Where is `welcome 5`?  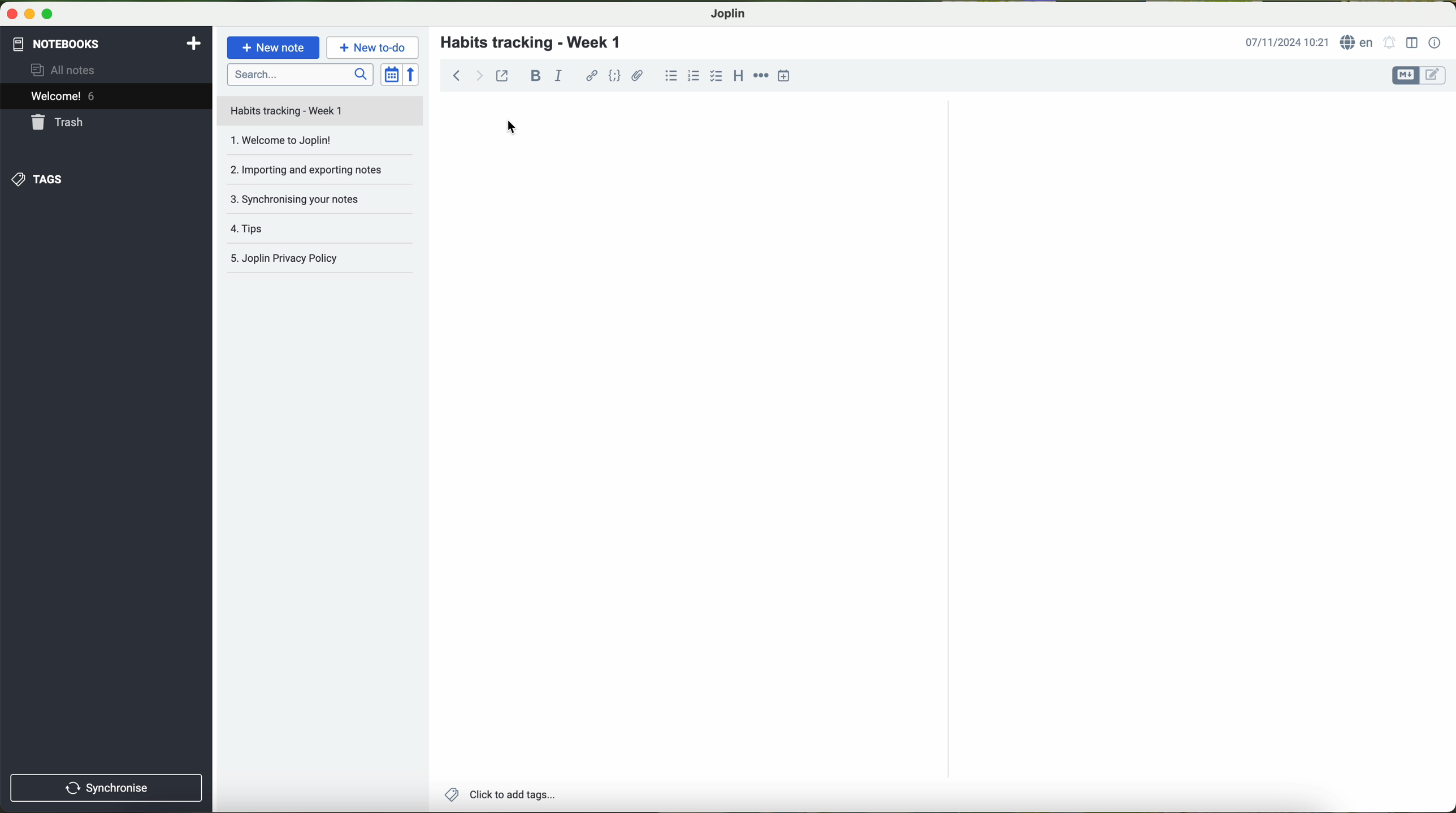 welcome 5 is located at coordinates (63, 96).